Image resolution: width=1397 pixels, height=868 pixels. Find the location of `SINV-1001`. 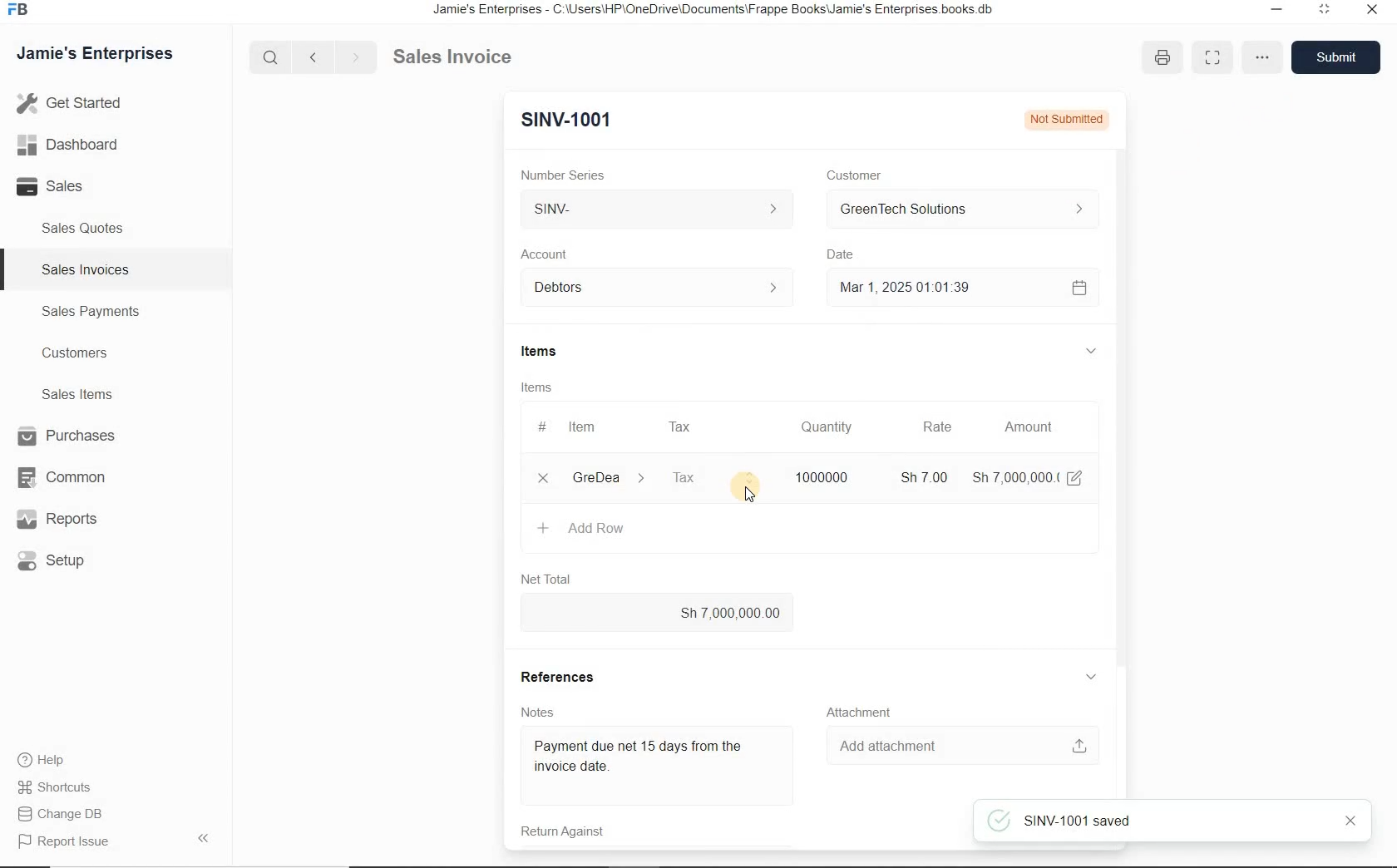

SINV-1001 is located at coordinates (562, 119).